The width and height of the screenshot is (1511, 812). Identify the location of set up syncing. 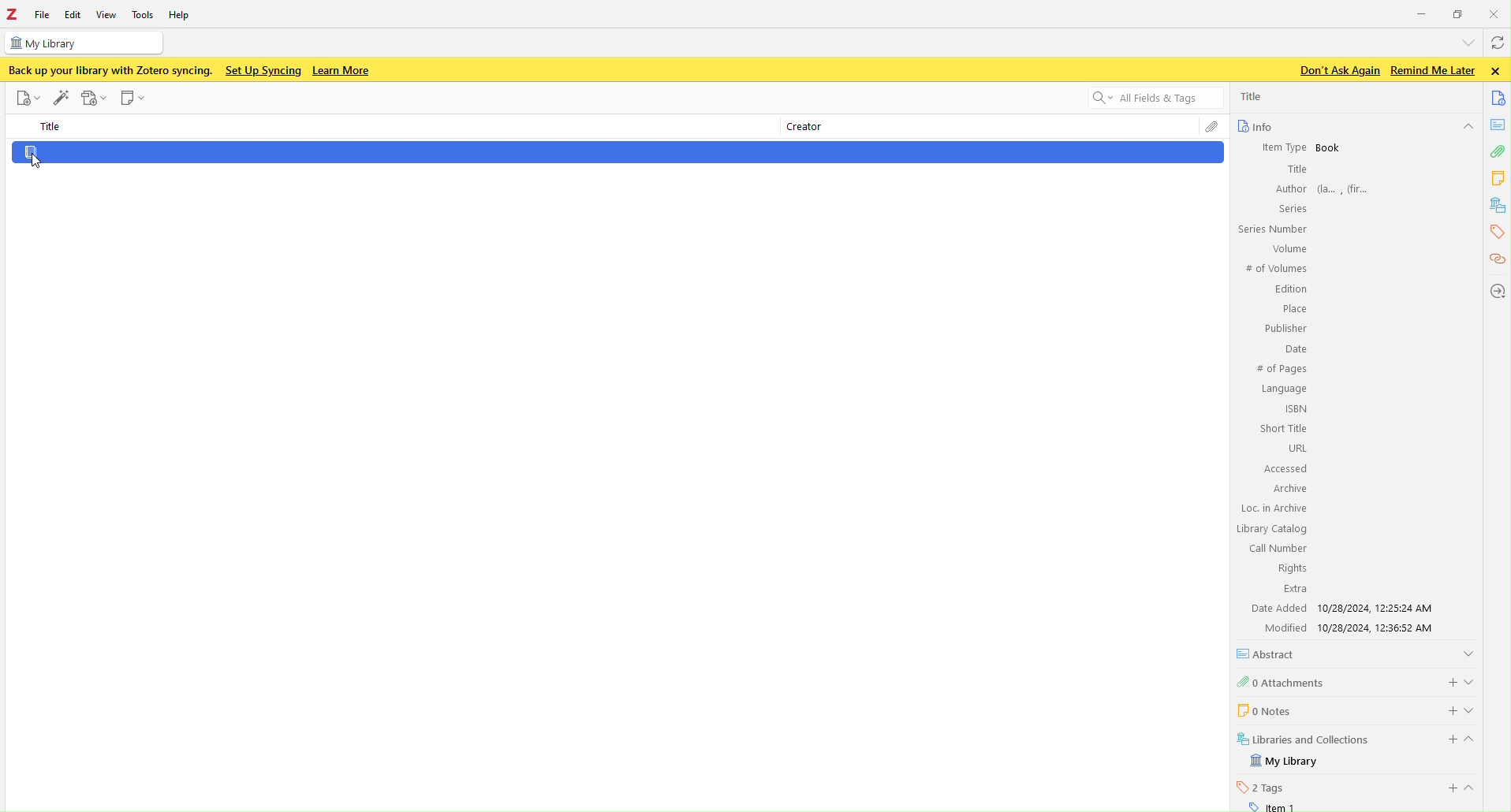
(267, 70).